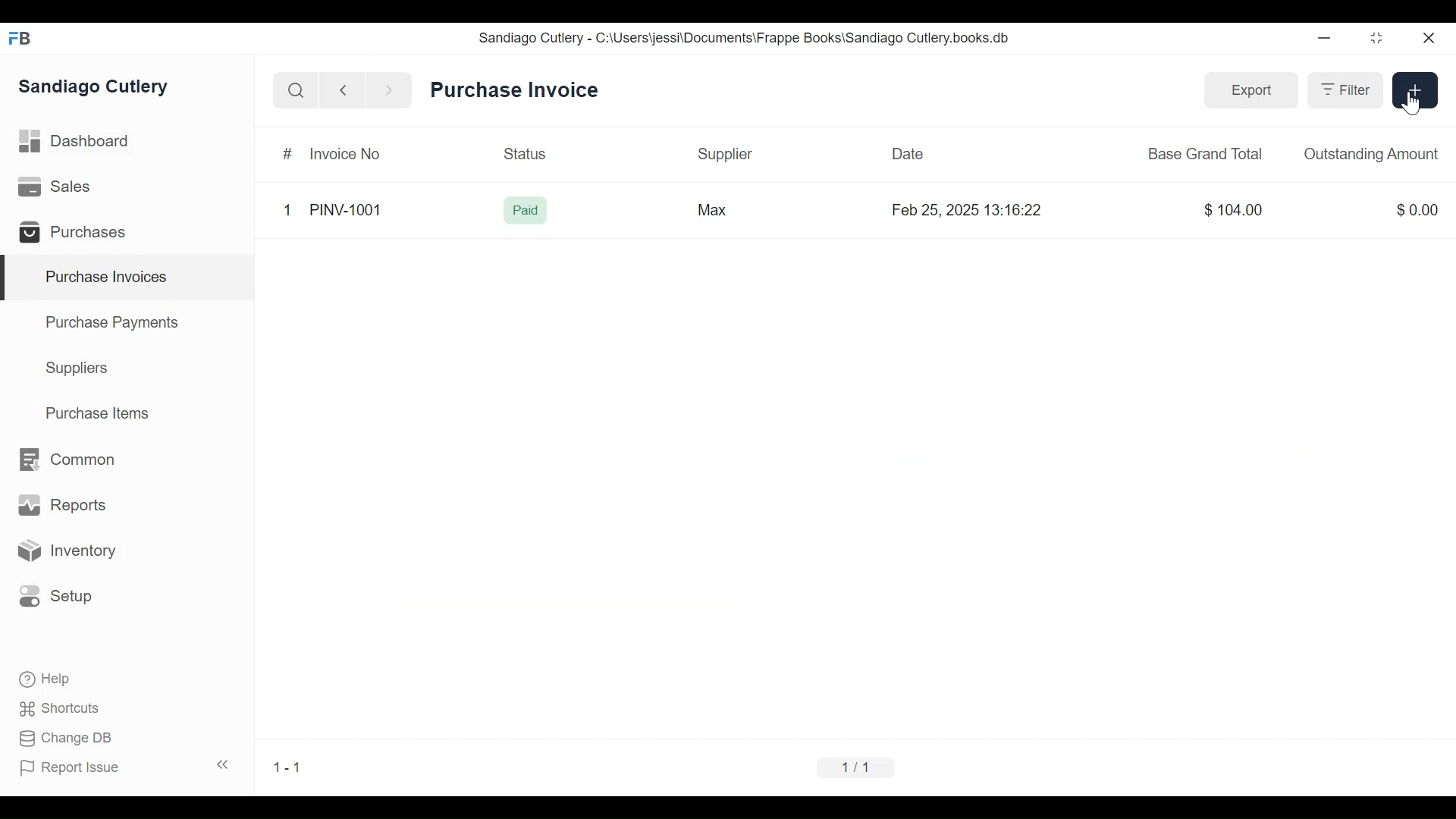 Image resolution: width=1456 pixels, height=819 pixels. Describe the element at coordinates (79, 234) in the screenshot. I see `Purchases` at that location.